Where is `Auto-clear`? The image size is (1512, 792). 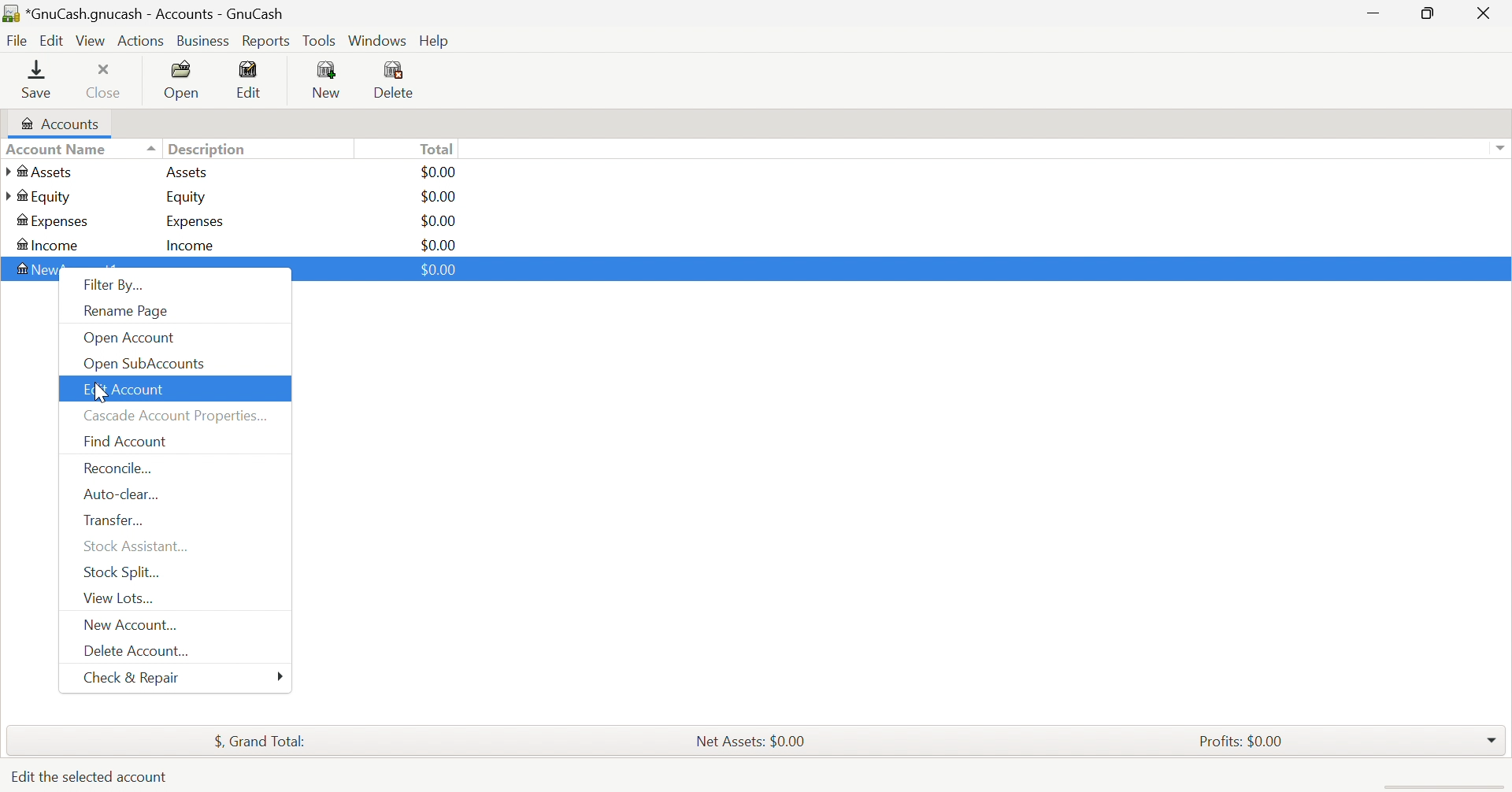
Auto-clear is located at coordinates (123, 493).